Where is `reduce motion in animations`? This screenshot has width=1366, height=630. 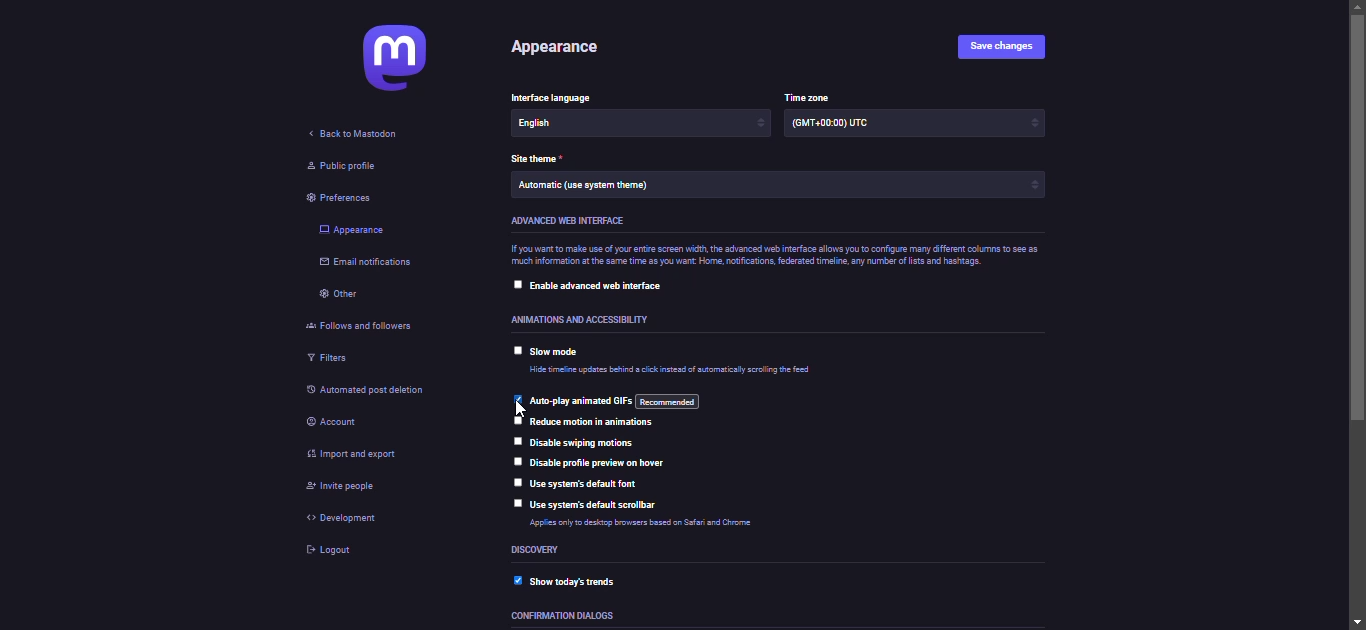 reduce motion in animations is located at coordinates (599, 424).